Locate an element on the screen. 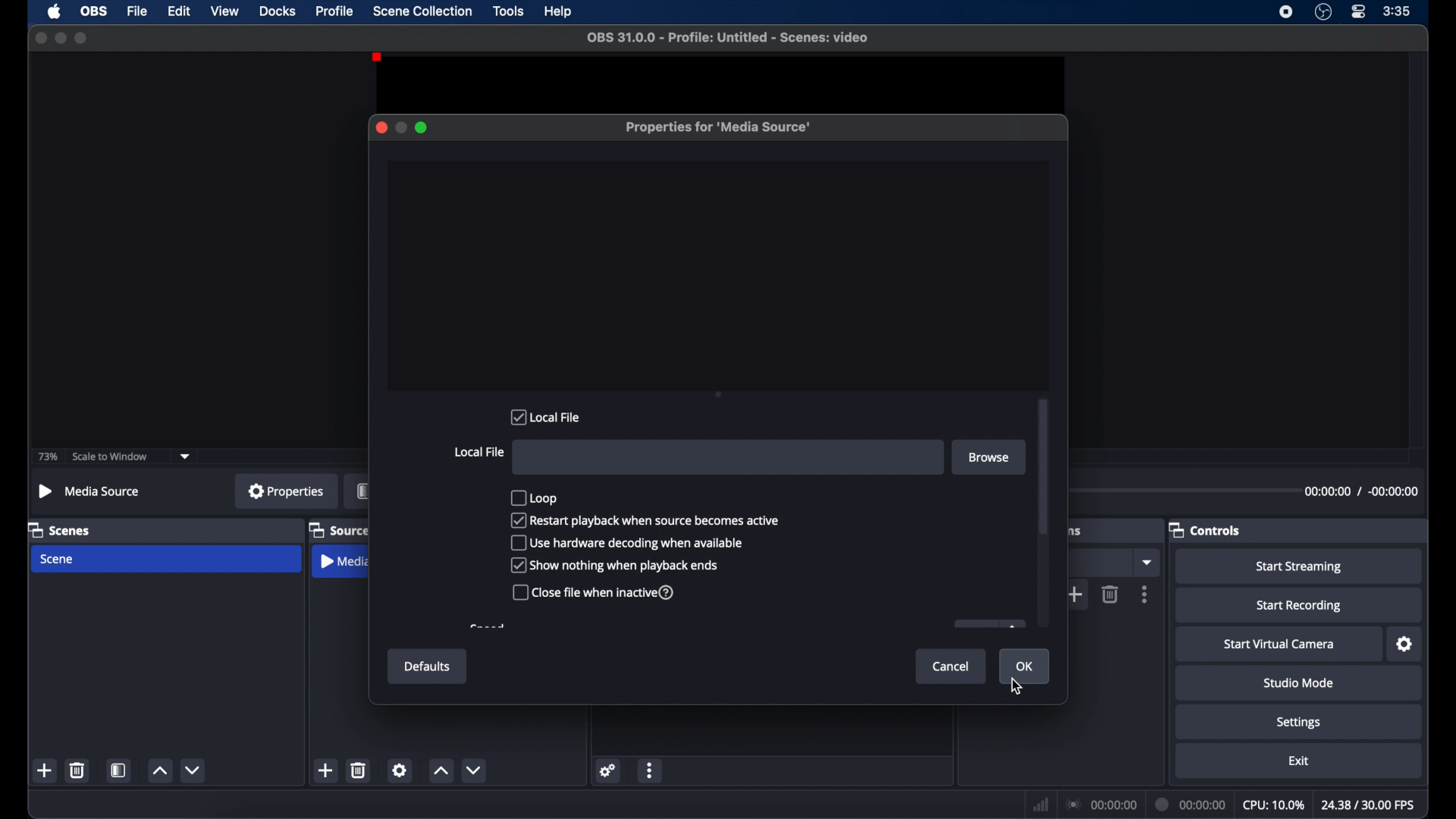  Scene is located at coordinates (58, 559).